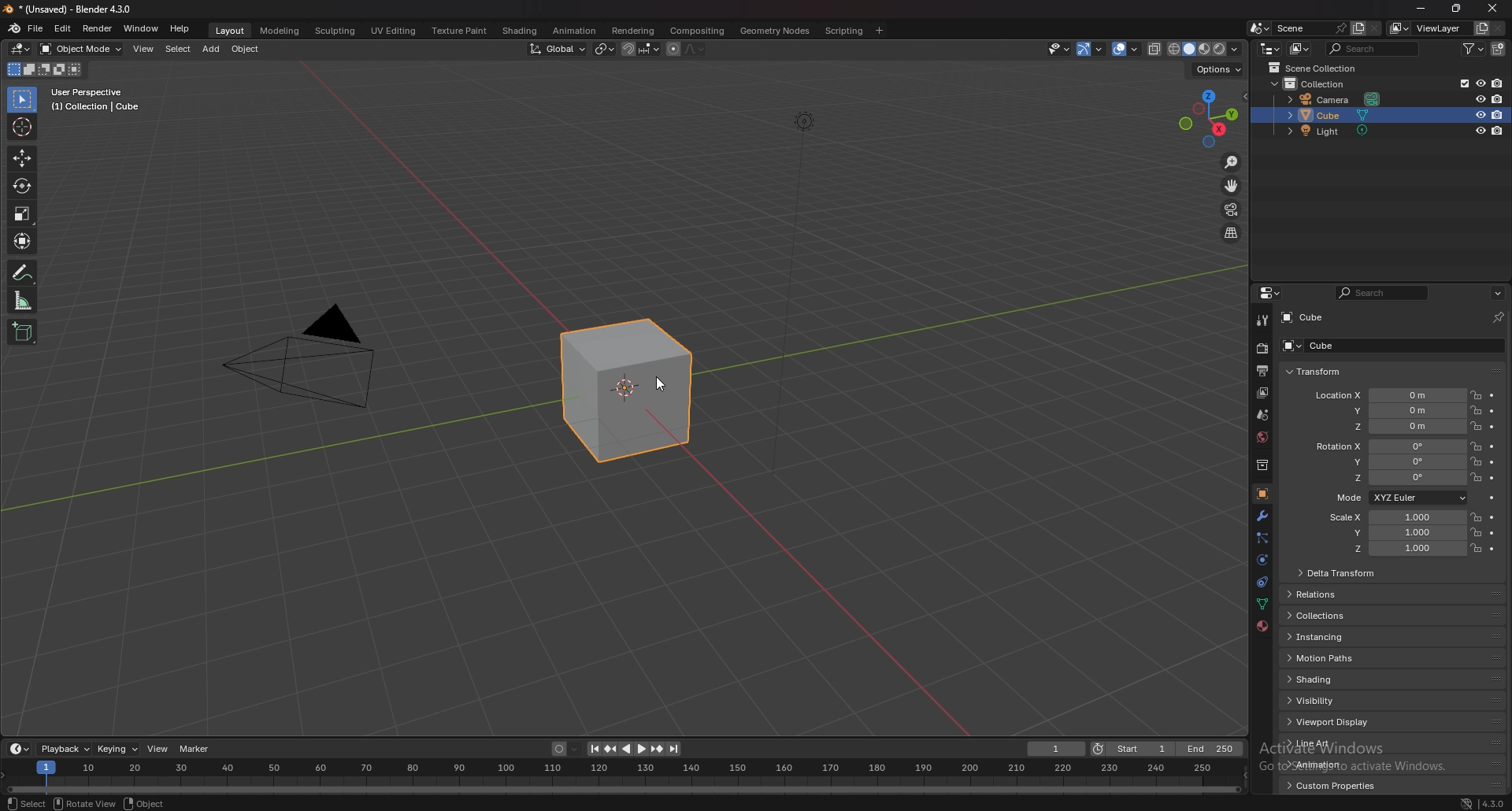  What do you see at coordinates (1498, 130) in the screenshot?
I see `disable in render` at bounding box center [1498, 130].